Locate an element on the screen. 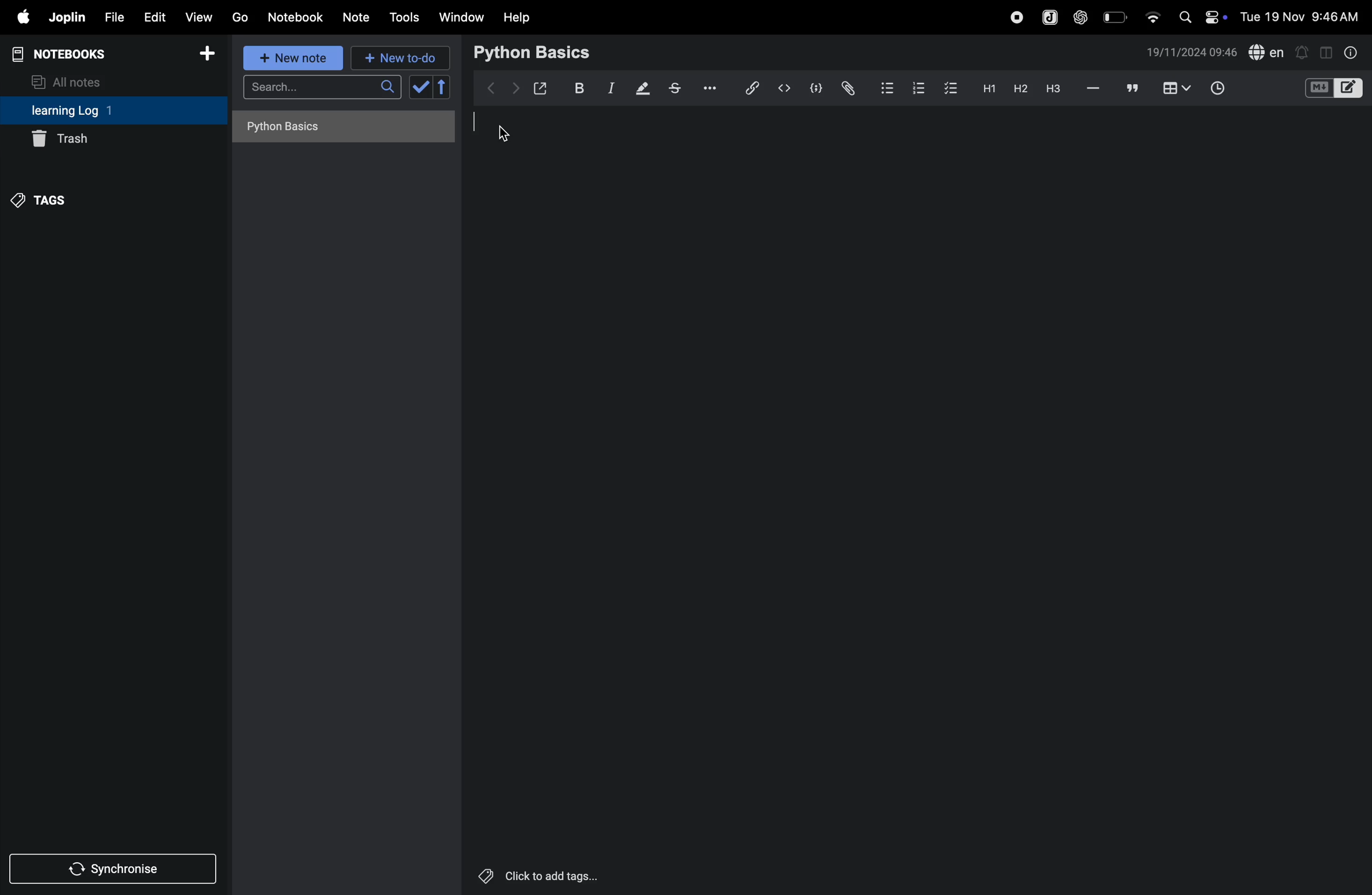  python basic is located at coordinates (534, 51).